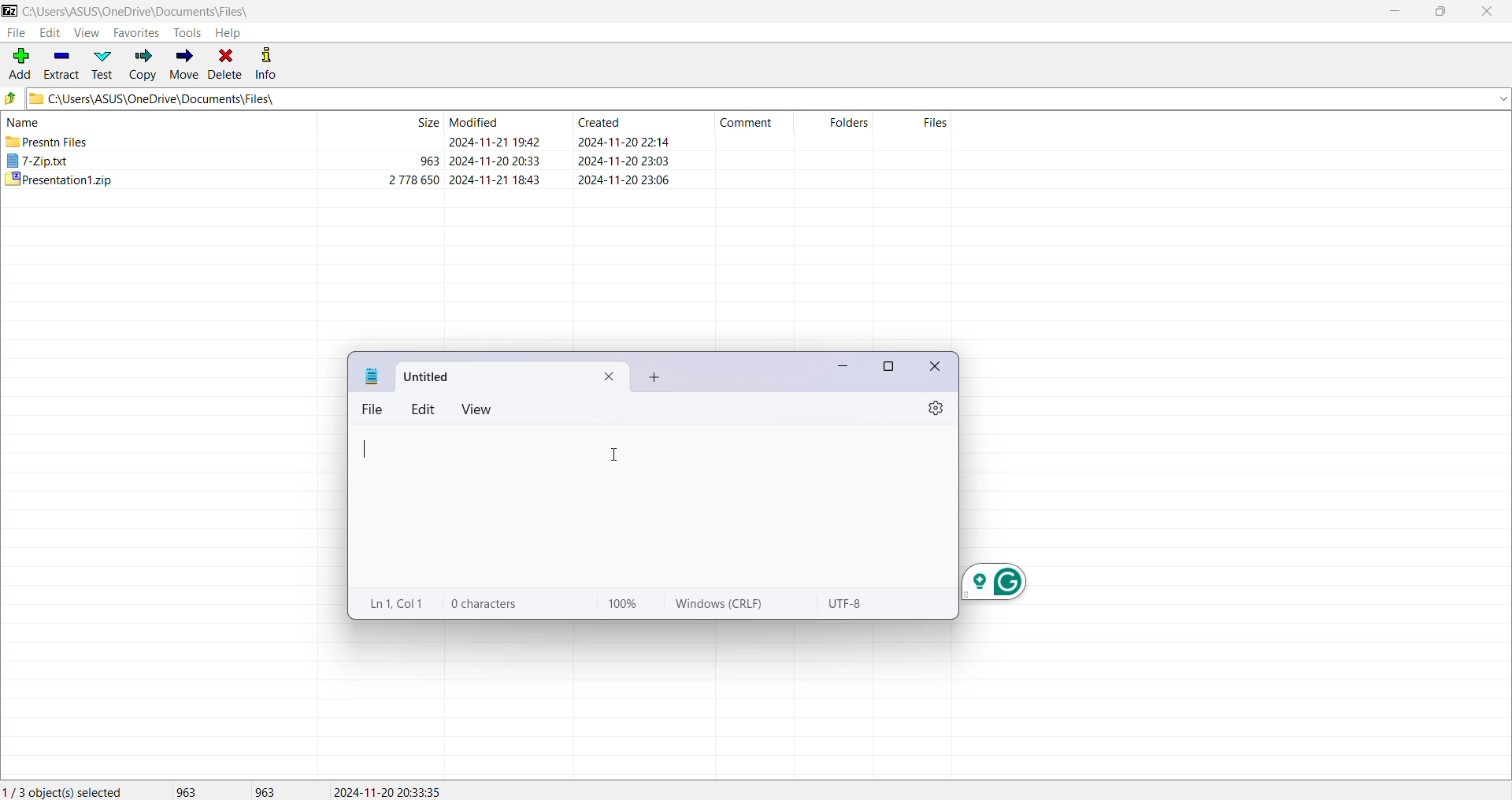  What do you see at coordinates (495, 161) in the screenshot?
I see `modified date & time` at bounding box center [495, 161].